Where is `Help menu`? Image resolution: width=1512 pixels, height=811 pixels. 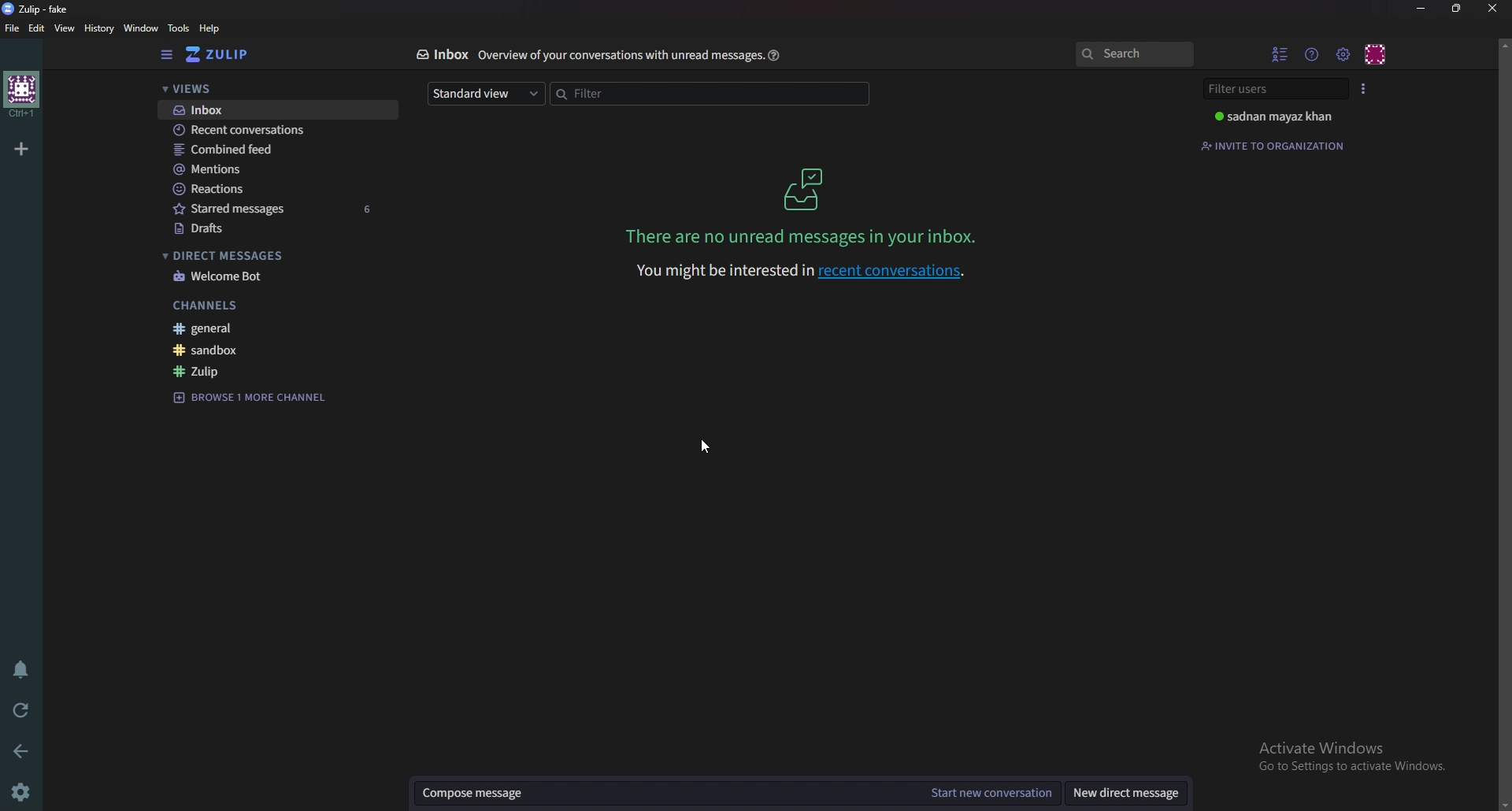 Help menu is located at coordinates (1310, 54).